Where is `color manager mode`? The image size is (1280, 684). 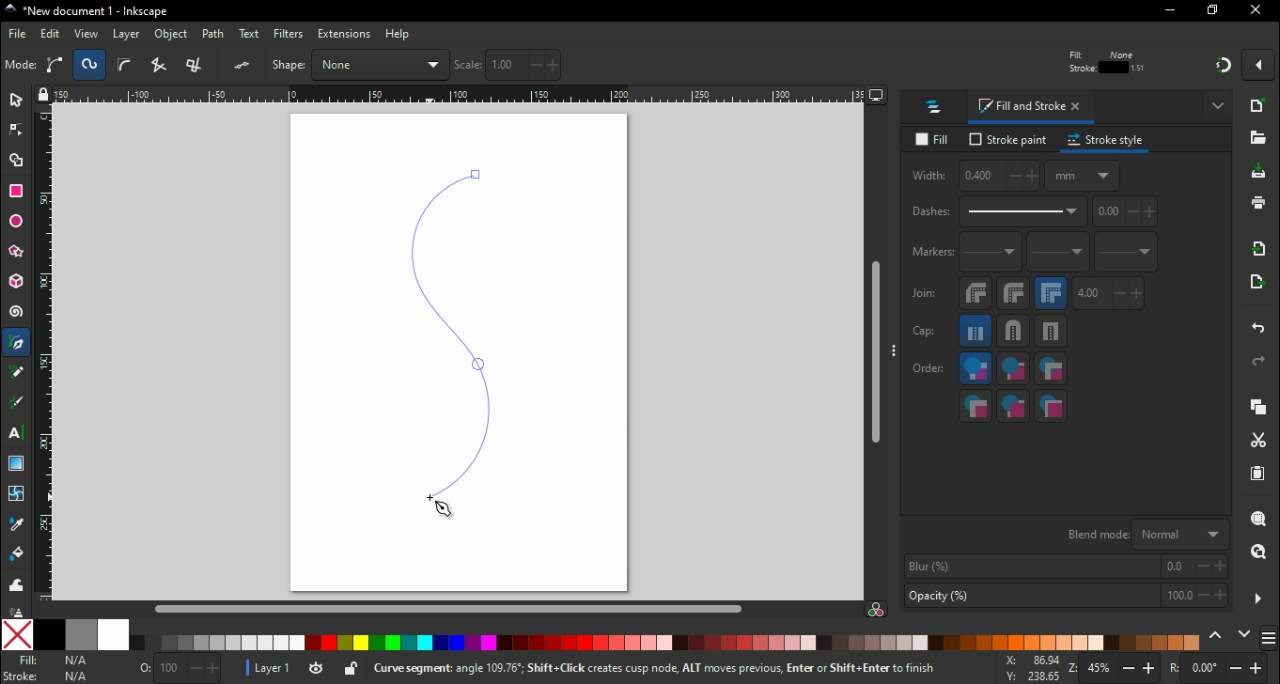 color manager mode is located at coordinates (878, 610).